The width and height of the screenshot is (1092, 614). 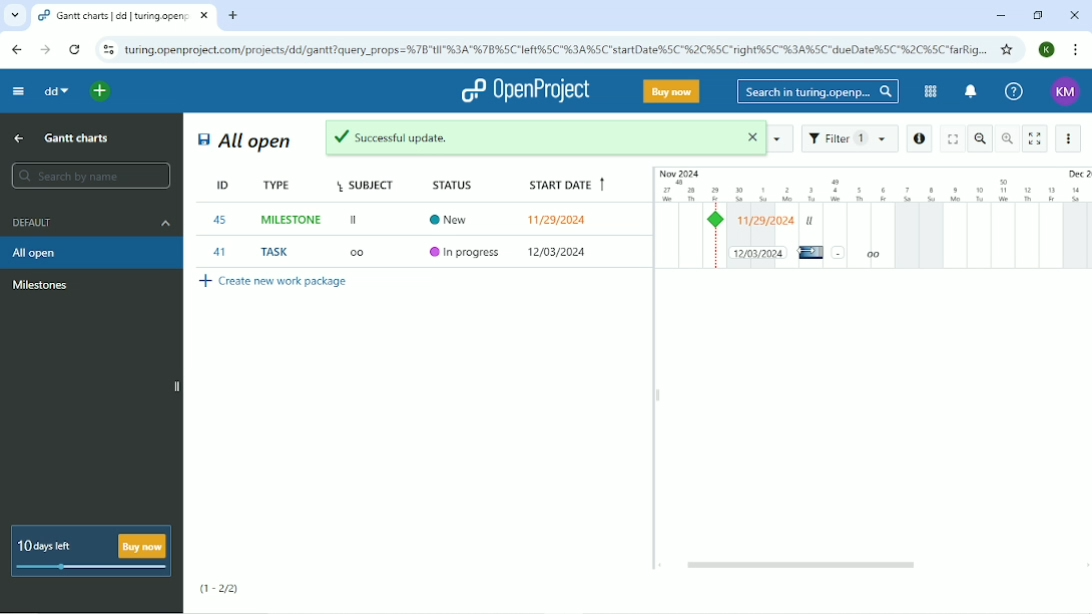 What do you see at coordinates (212, 185) in the screenshot?
I see `ID` at bounding box center [212, 185].